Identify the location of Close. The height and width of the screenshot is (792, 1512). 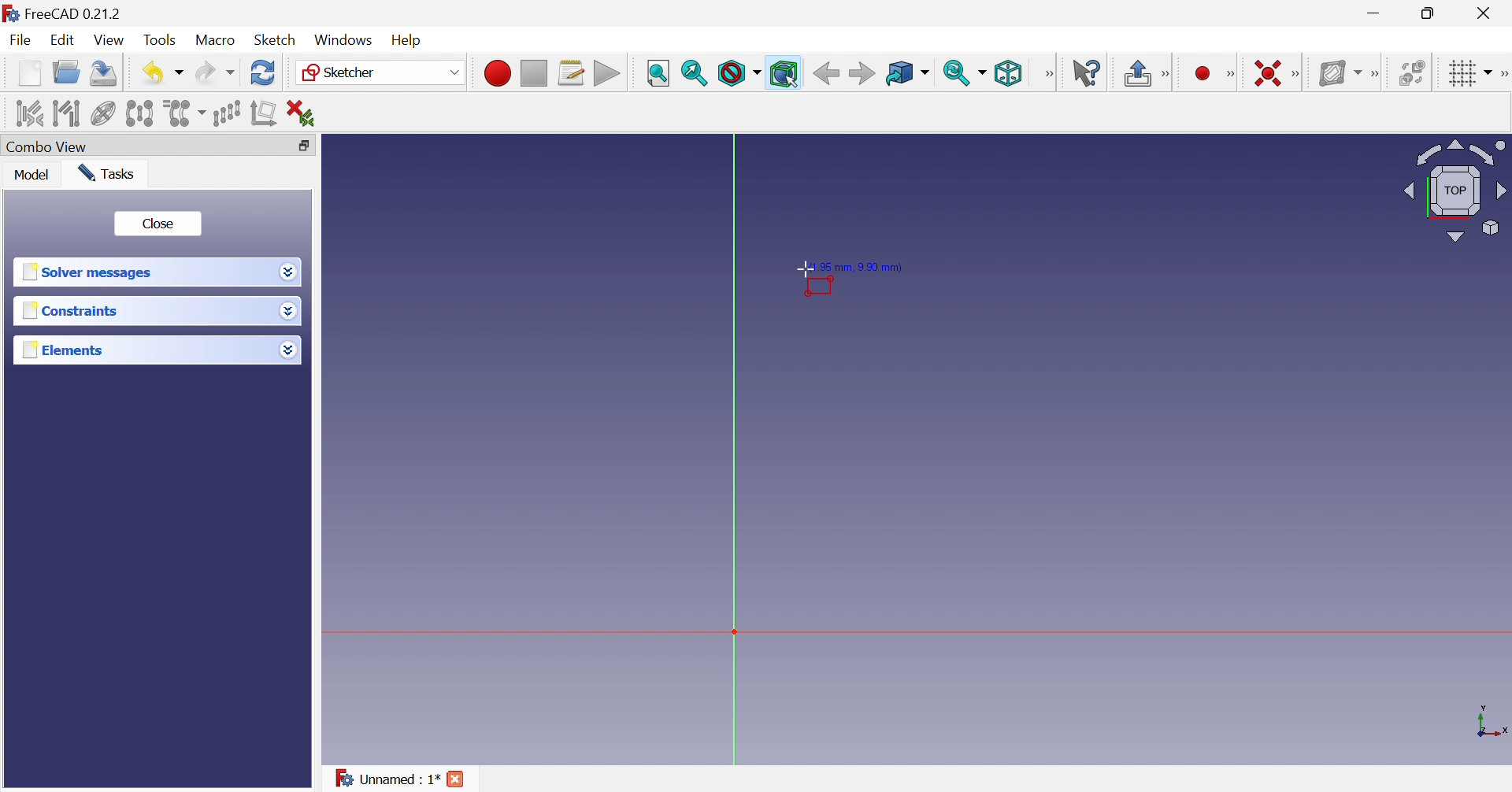
(1484, 13).